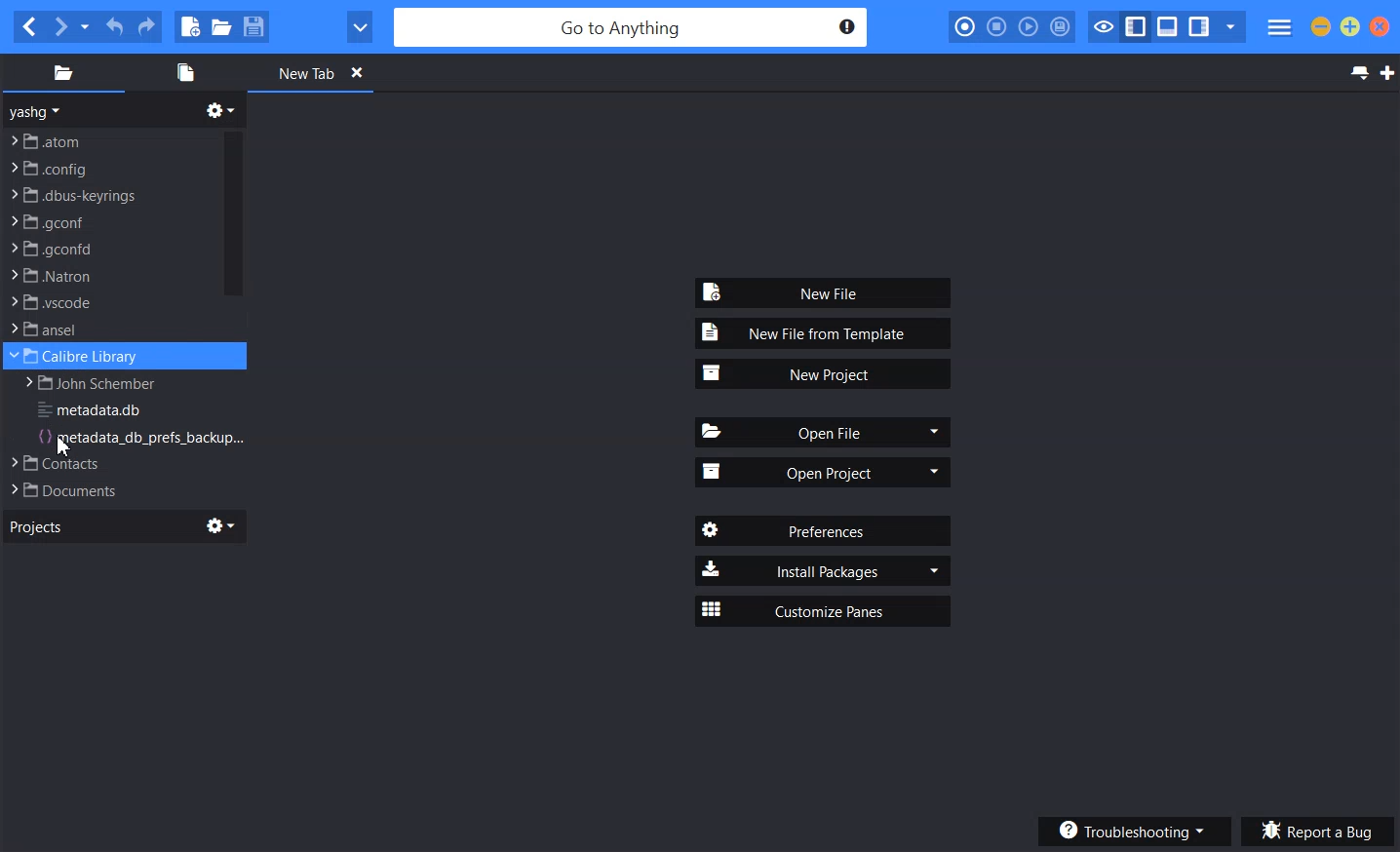  Describe the element at coordinates (108, 275) in the screenshot. I see `File` at that location.